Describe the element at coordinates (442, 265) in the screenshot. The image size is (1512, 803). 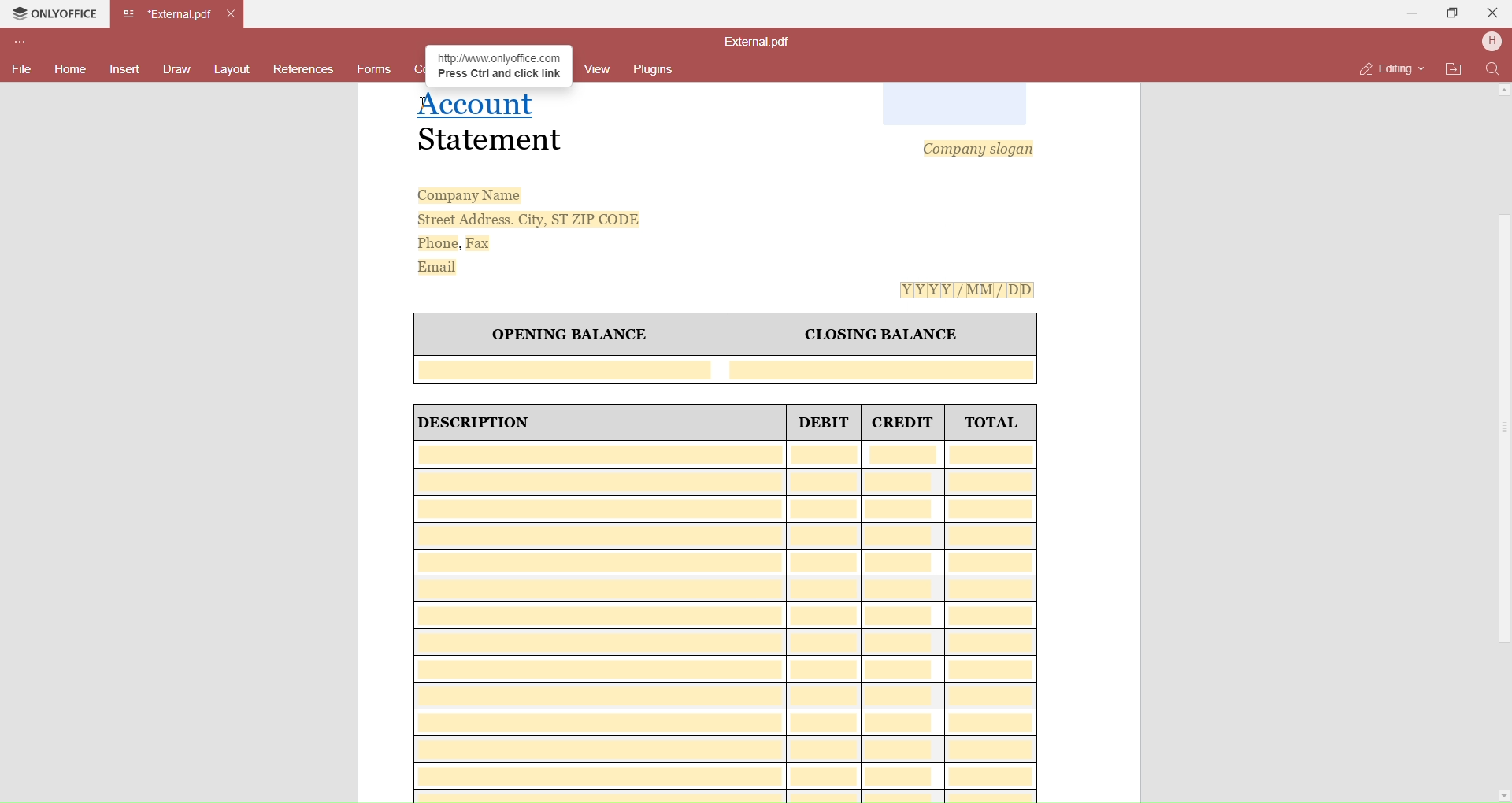
I see `Email` at that location.